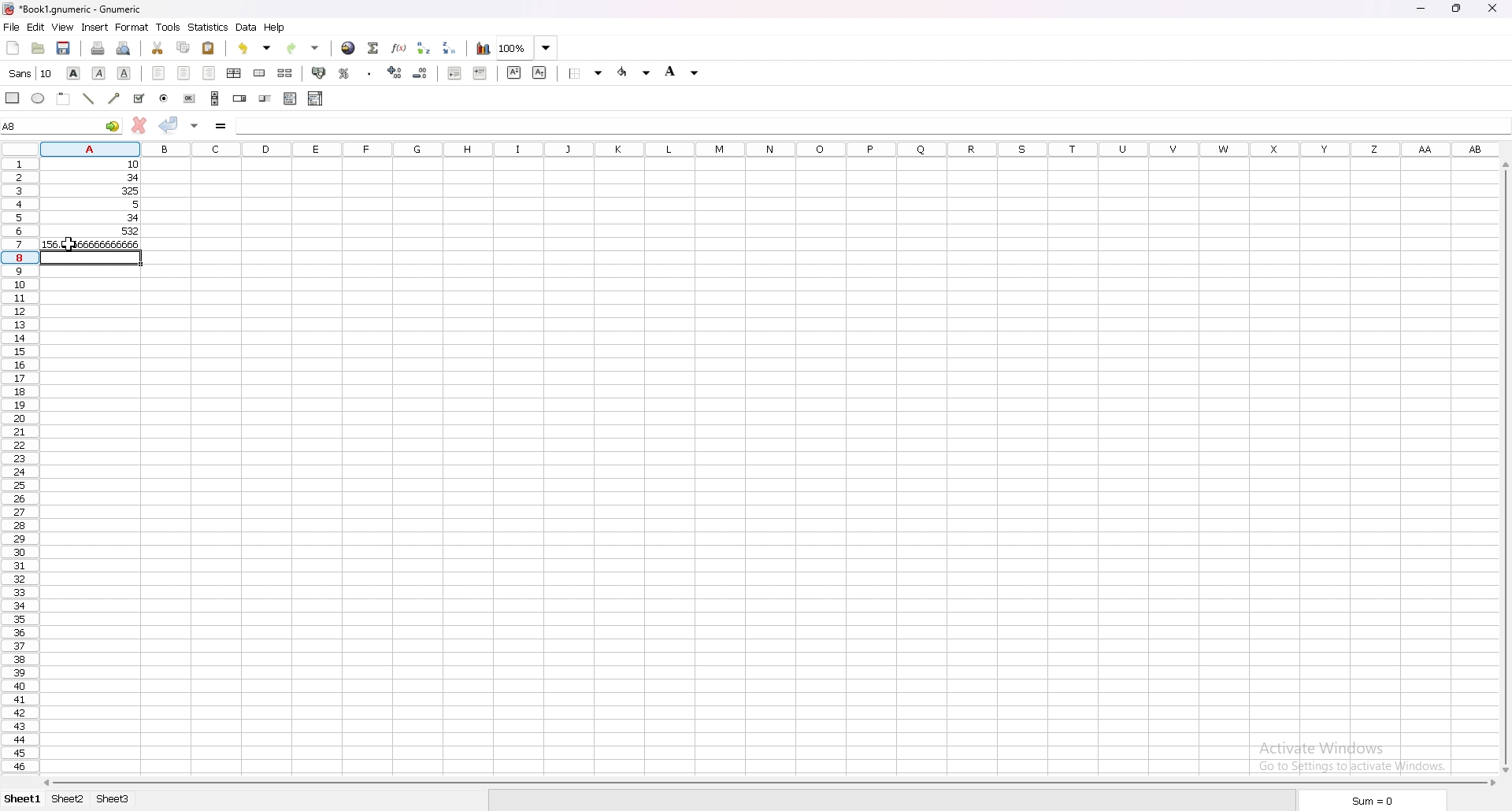 The height and width of the screenshot is (811, 1512). I want to click on split merged cells, so click(285, 72).